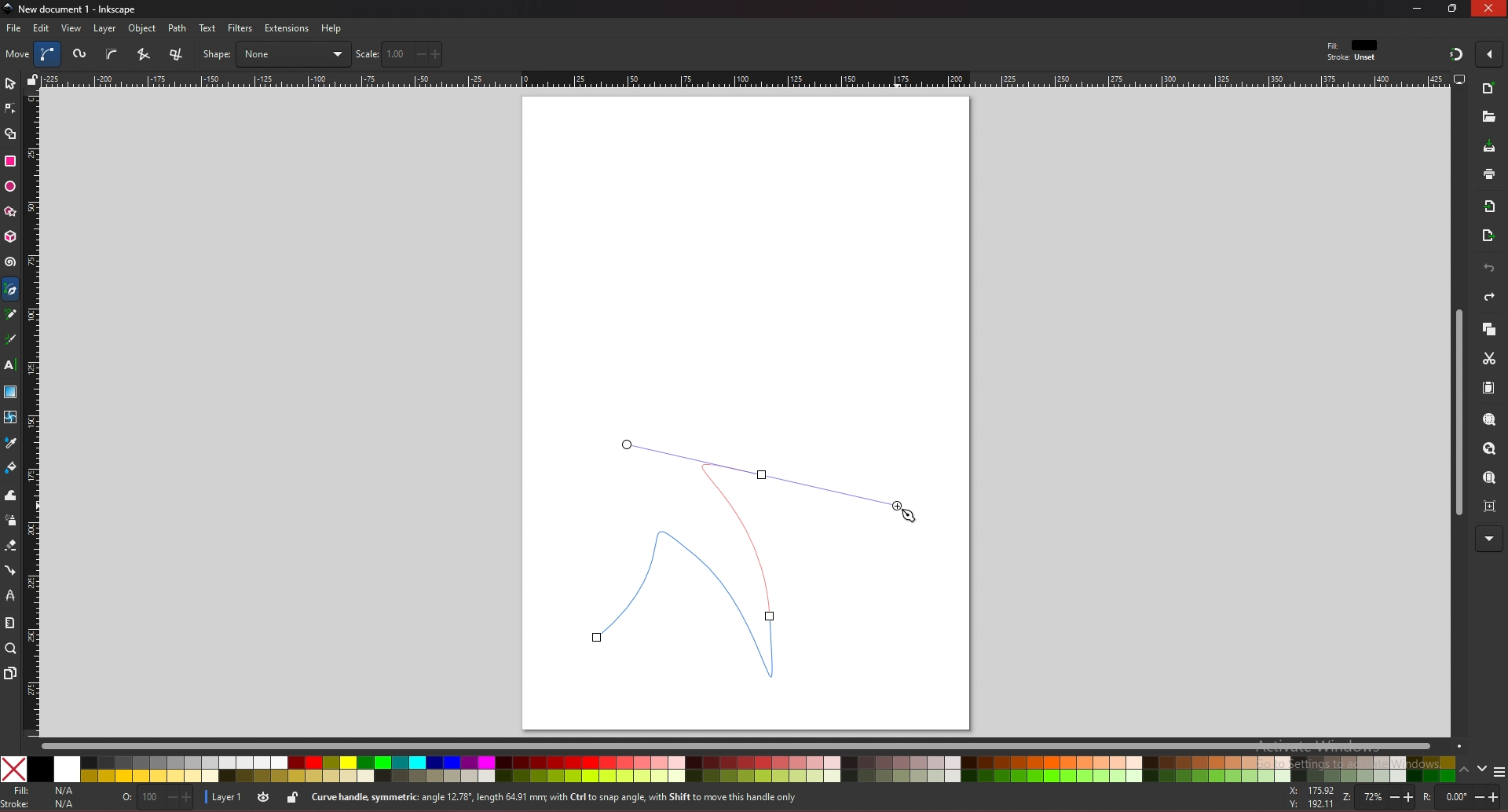 The width and height of the screenshot is (1508, 812). What do you see at coordinates (31, 415) in the screenshot?
I see `vertical rule` at bounding box center [31, 415].